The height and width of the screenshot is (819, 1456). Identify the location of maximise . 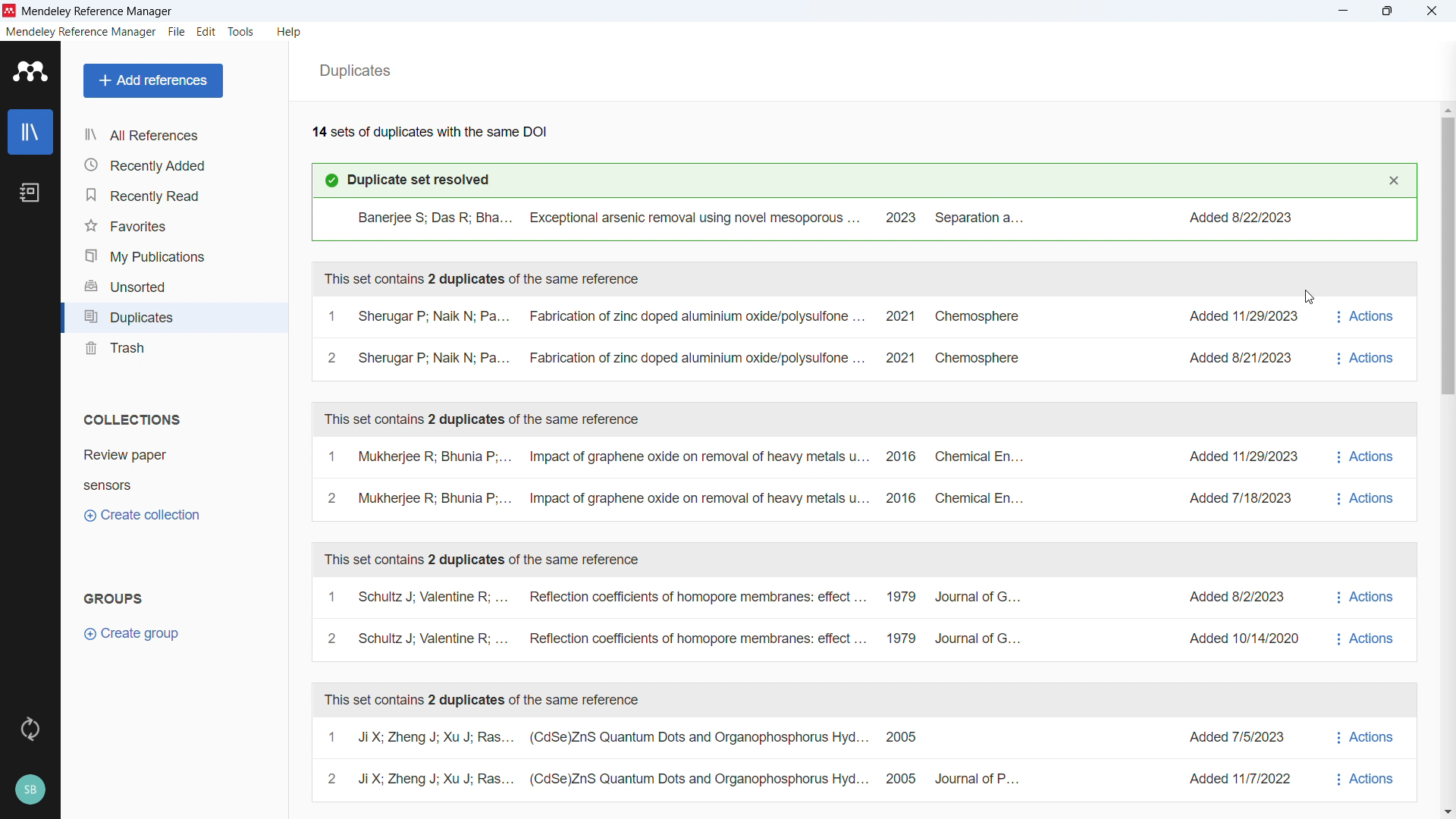
(1390, 11).